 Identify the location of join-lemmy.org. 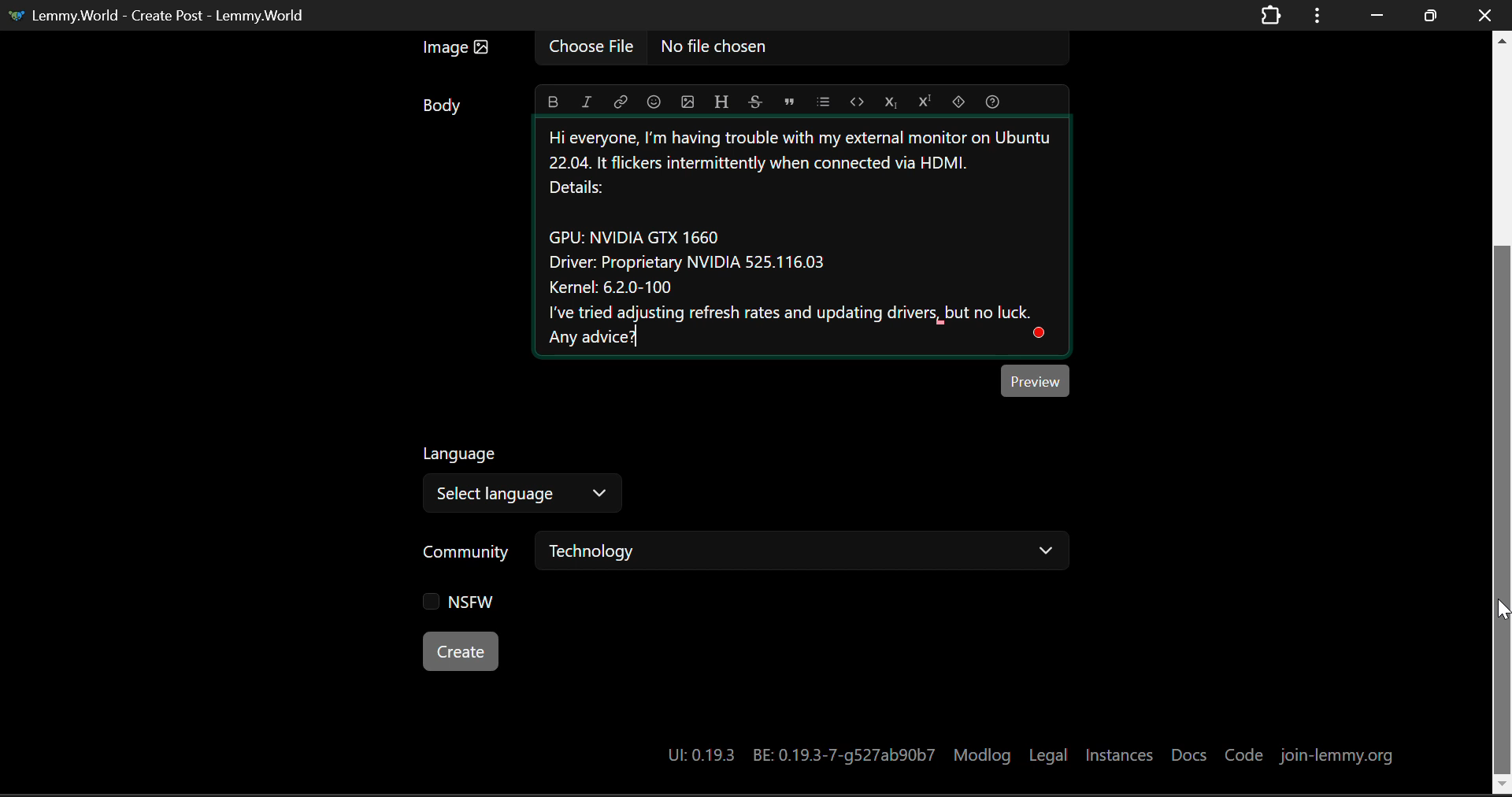
(1338, 754).